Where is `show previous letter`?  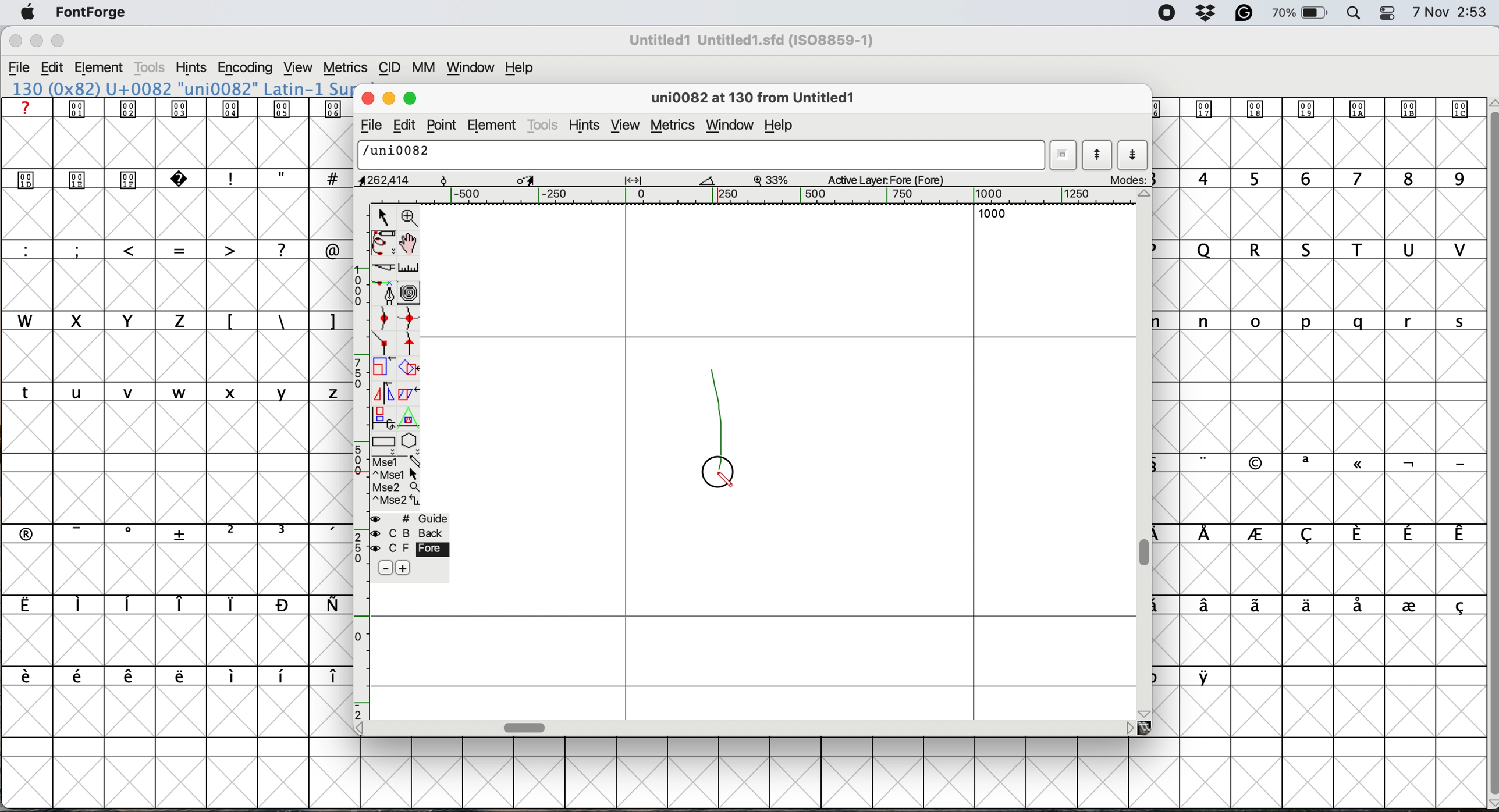 show previous letter is located at coordinates (1097, 155).